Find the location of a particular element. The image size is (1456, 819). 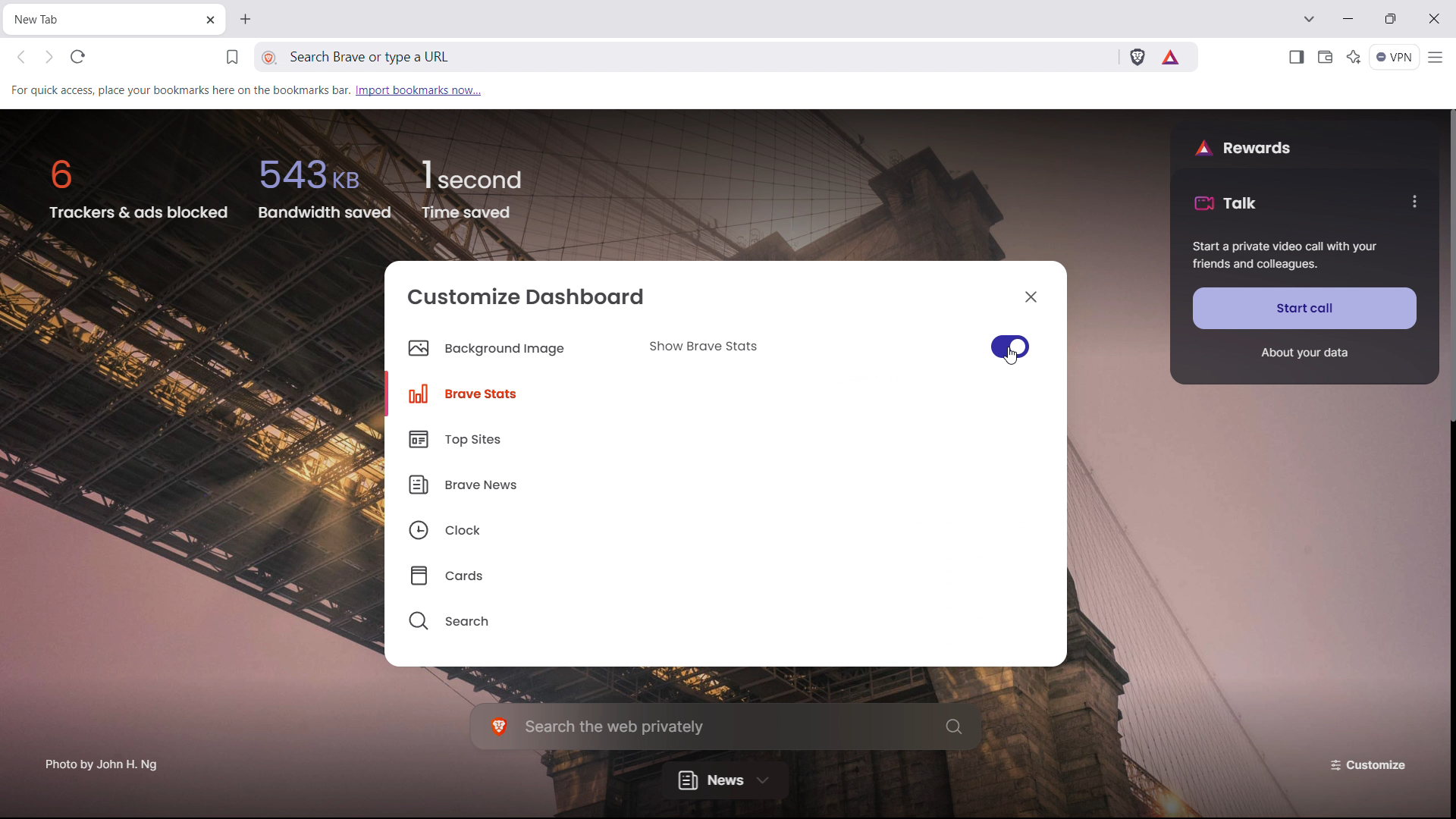

Start a private call with your friends and colleagues. is located at coordinates (1285, 256).